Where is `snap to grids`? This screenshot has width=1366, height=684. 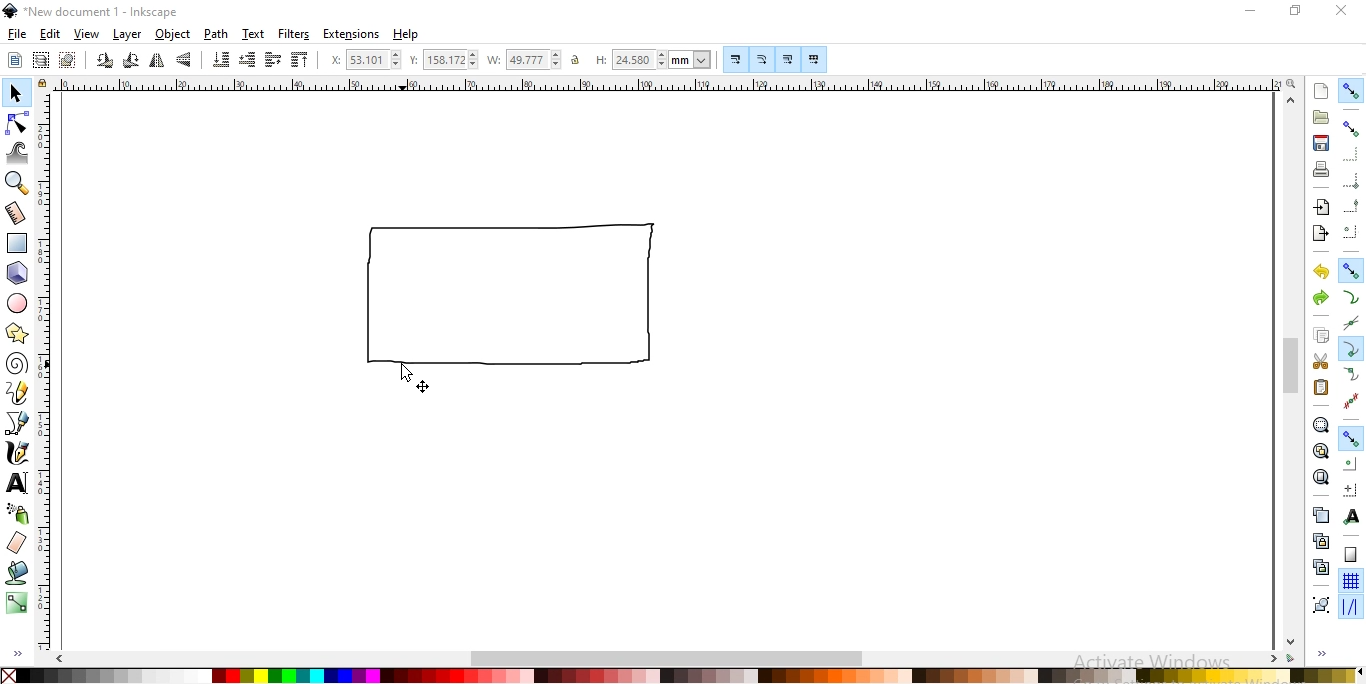 snap to grids is located at coordinates (1351, 580).